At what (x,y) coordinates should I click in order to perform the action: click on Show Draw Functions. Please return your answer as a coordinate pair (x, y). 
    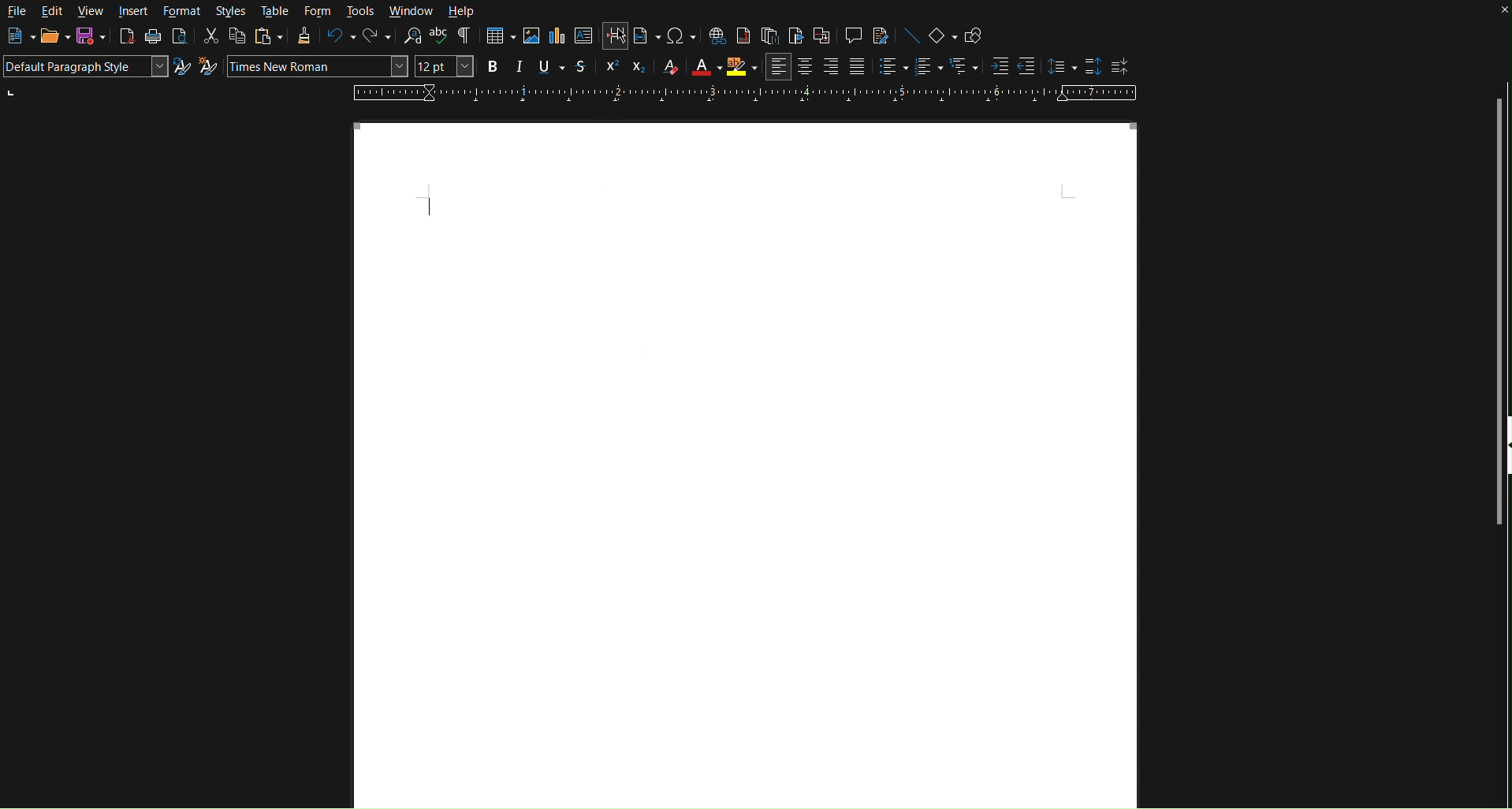
    Looking at the image, I should click on (971, 32).